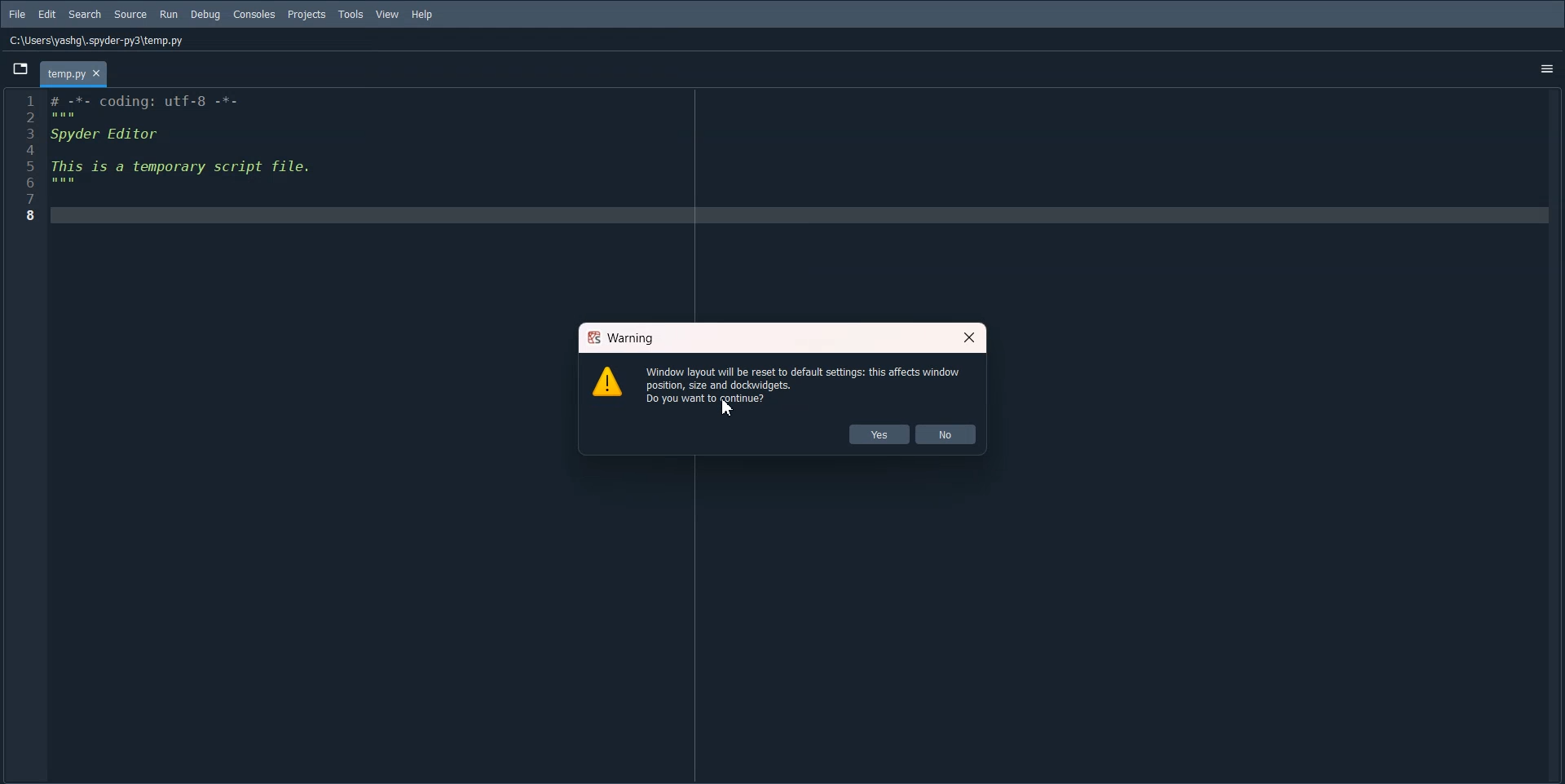  What do you see at coordinates (254, 15) in the screenshot?
I see `Console` at bounding box center [254, 15].